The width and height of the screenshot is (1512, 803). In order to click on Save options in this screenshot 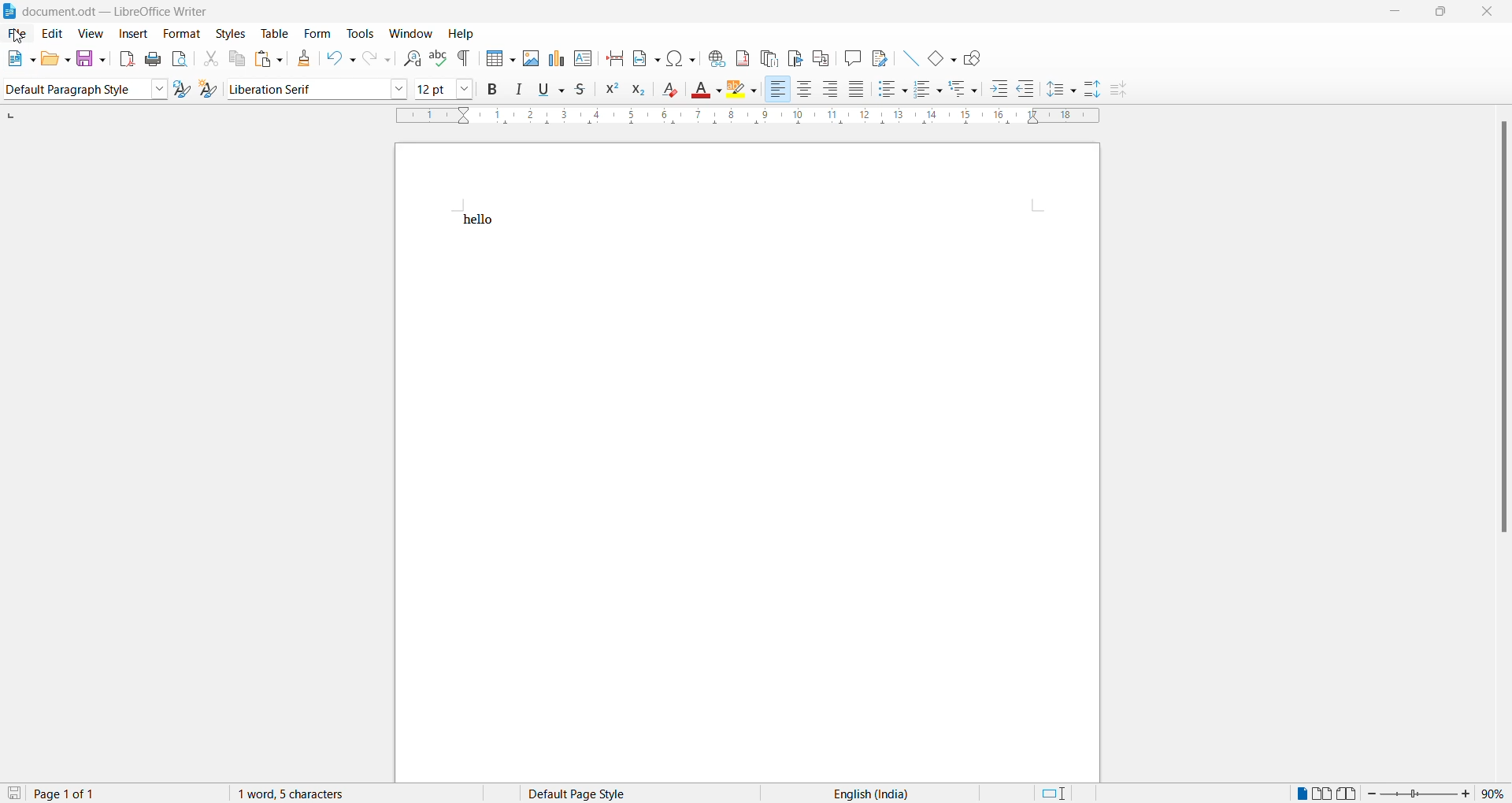, I will do `click(91, 59)`.